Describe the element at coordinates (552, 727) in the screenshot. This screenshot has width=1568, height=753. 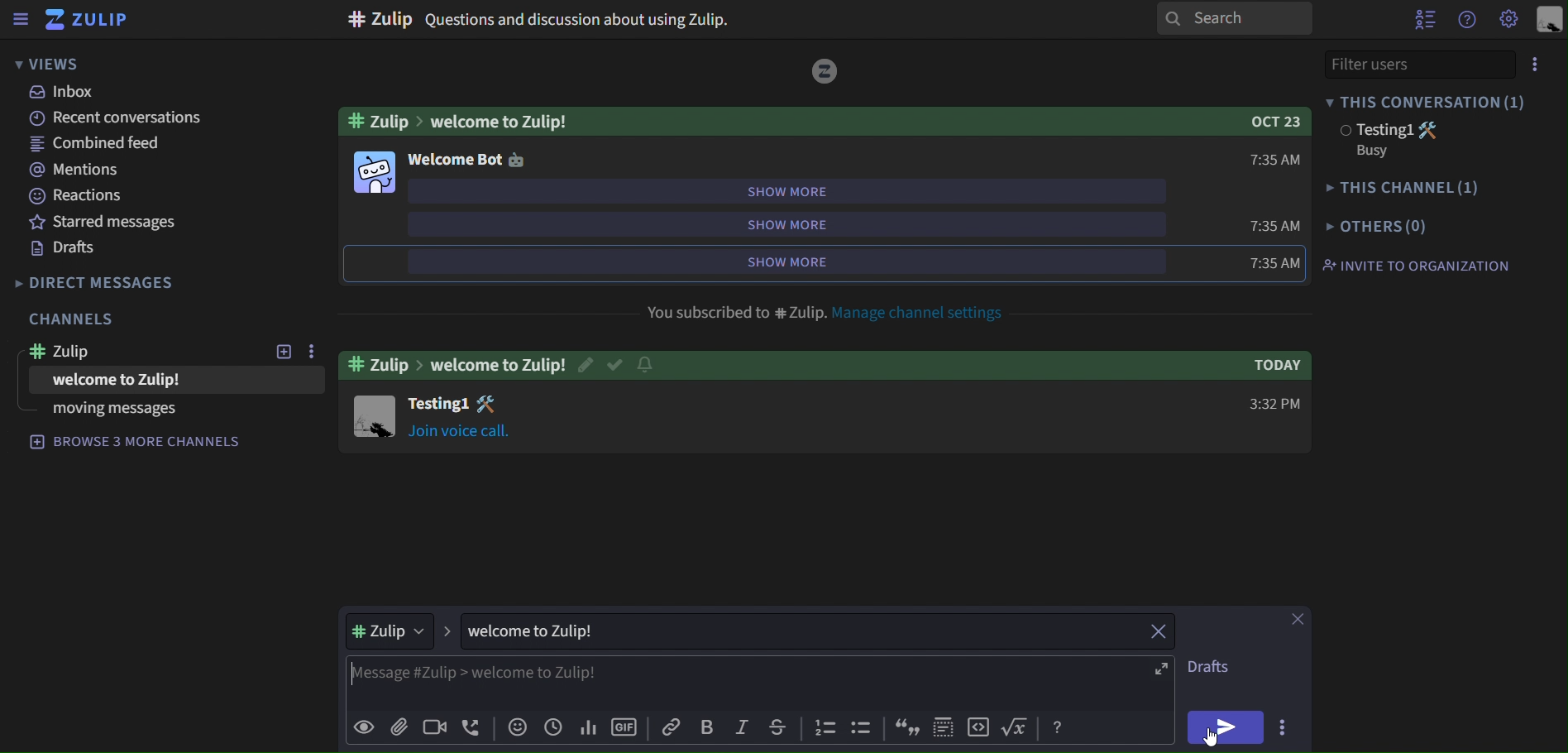
I see `add global time` at that location.